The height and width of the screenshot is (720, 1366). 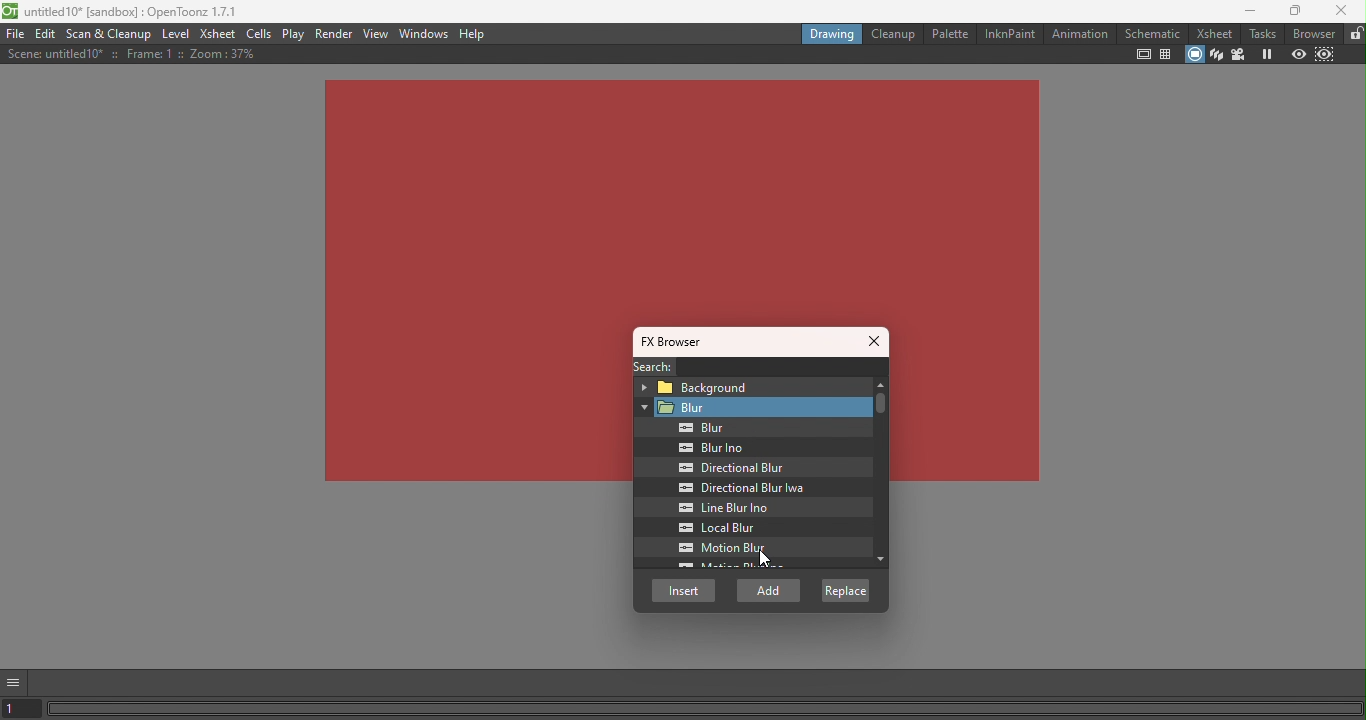 What do you see at coordinates (735, 488) in the screenshot?
I see `Directional blur Iwa` at bounding box center [735, 488].